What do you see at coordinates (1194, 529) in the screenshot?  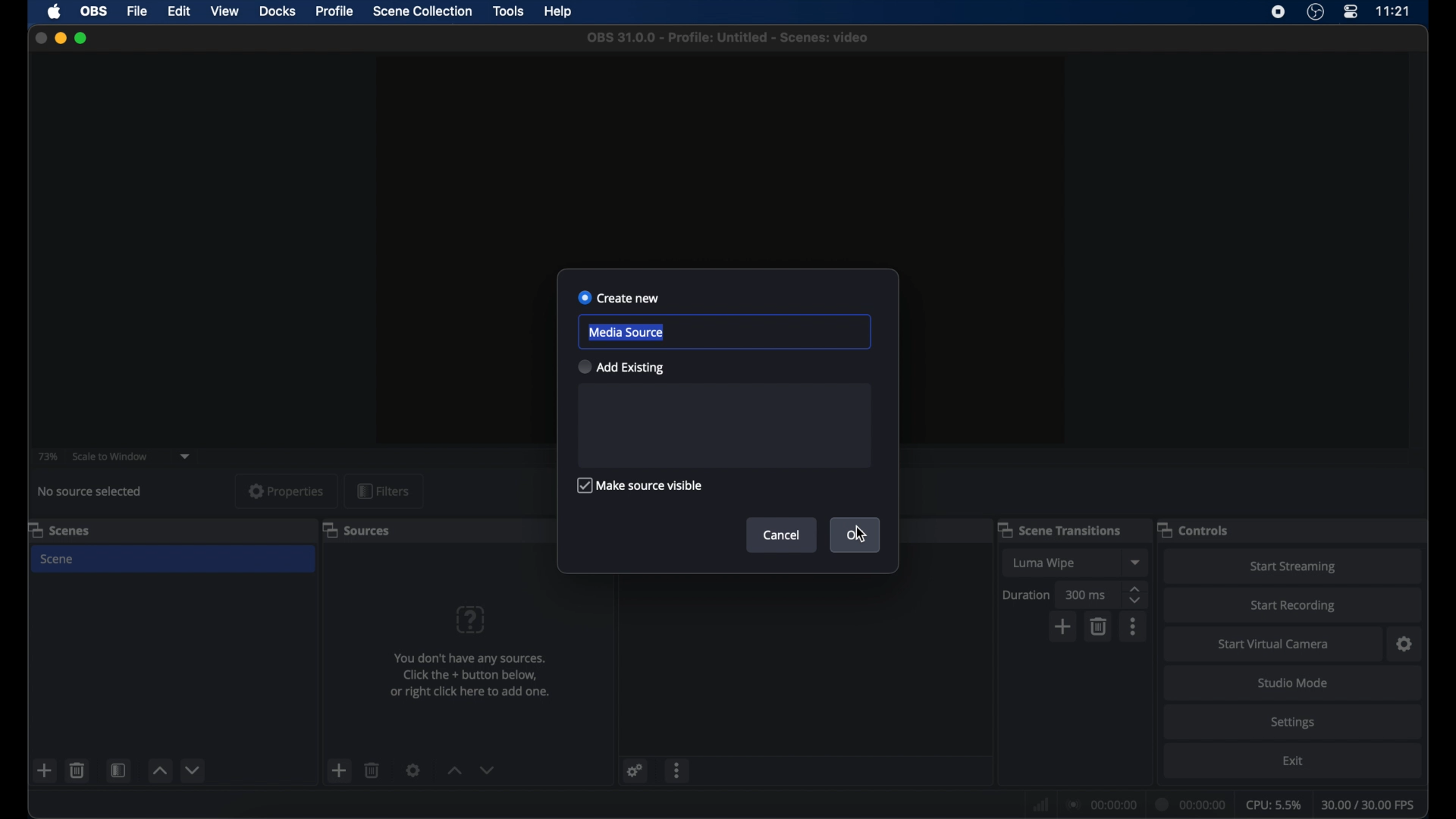 I see `controls` at bounding box center [1194, 529].